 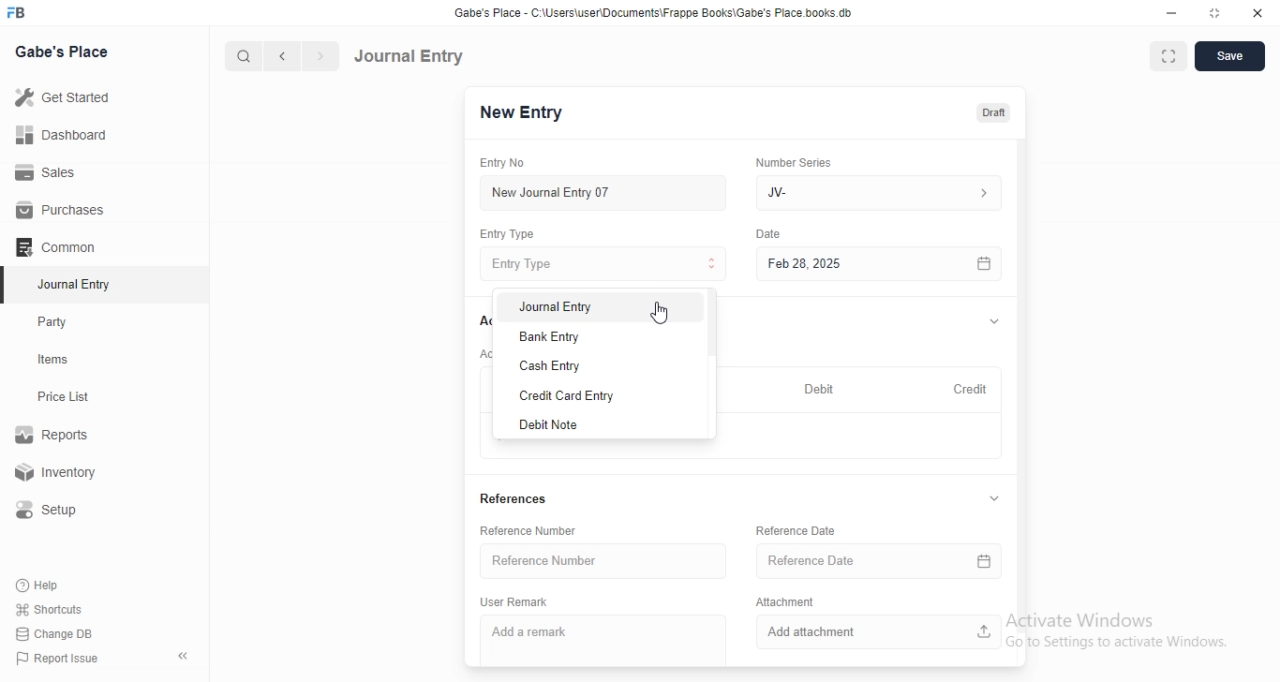 What do you see at coordinates (241, 56) in the screenshot?
I see `search` at bounding box center [241, 56].